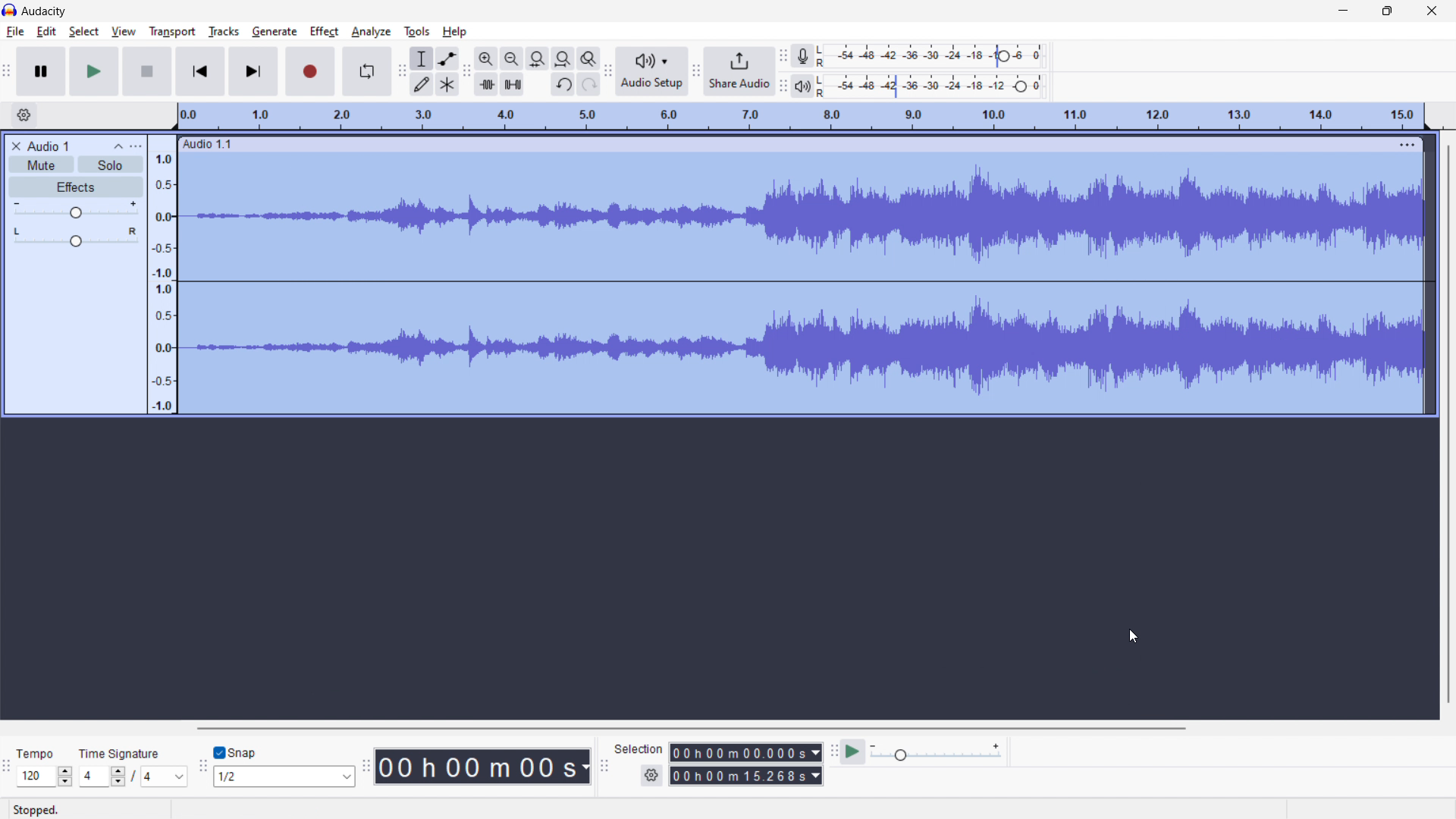 This screenshot has width=1456, height=819. I want to click on share audio toolbar, so click(697, 71).